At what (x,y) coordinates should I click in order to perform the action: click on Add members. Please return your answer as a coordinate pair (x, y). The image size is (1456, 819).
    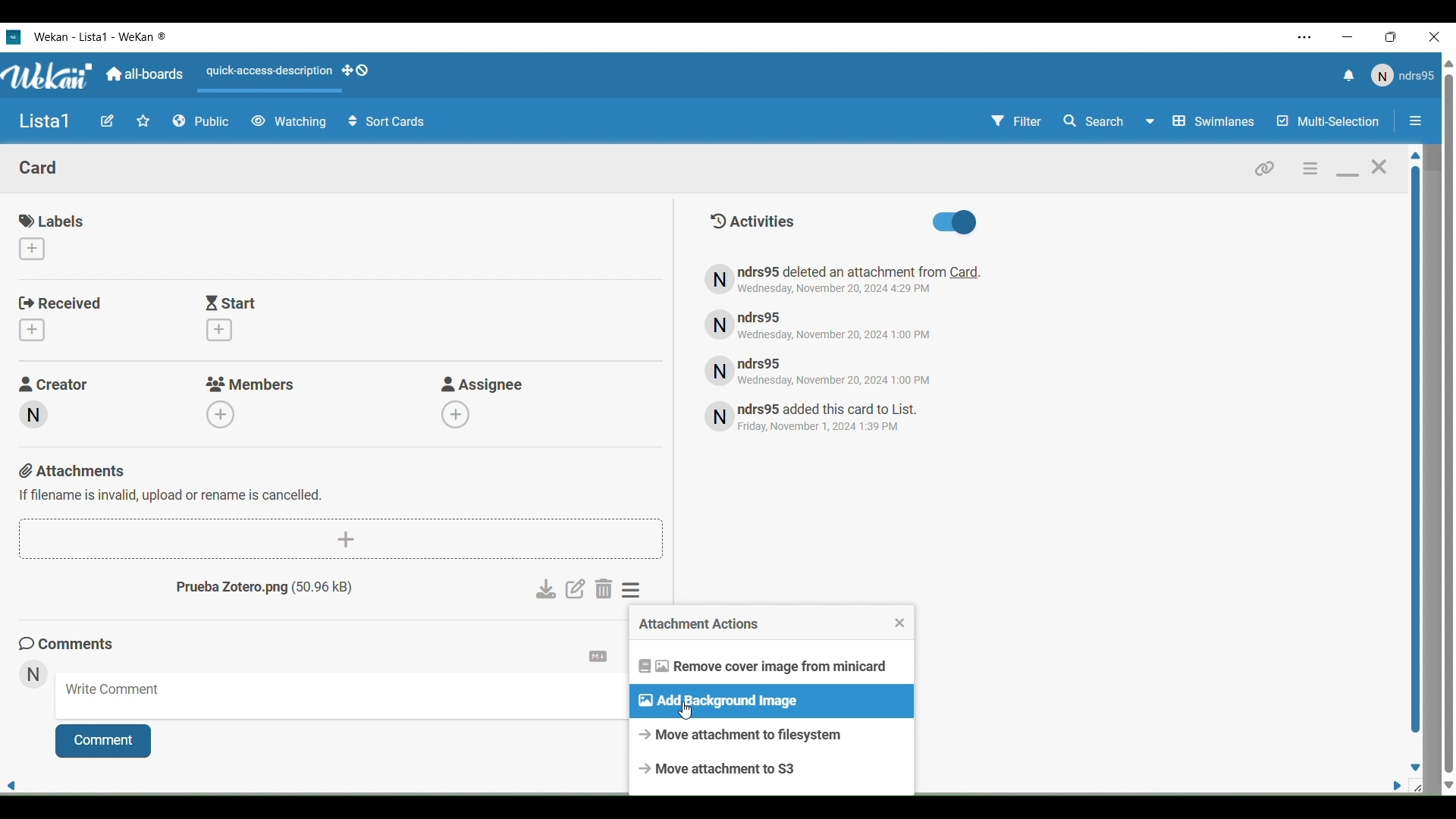
    Looking at the image, I should click on (223, 413).